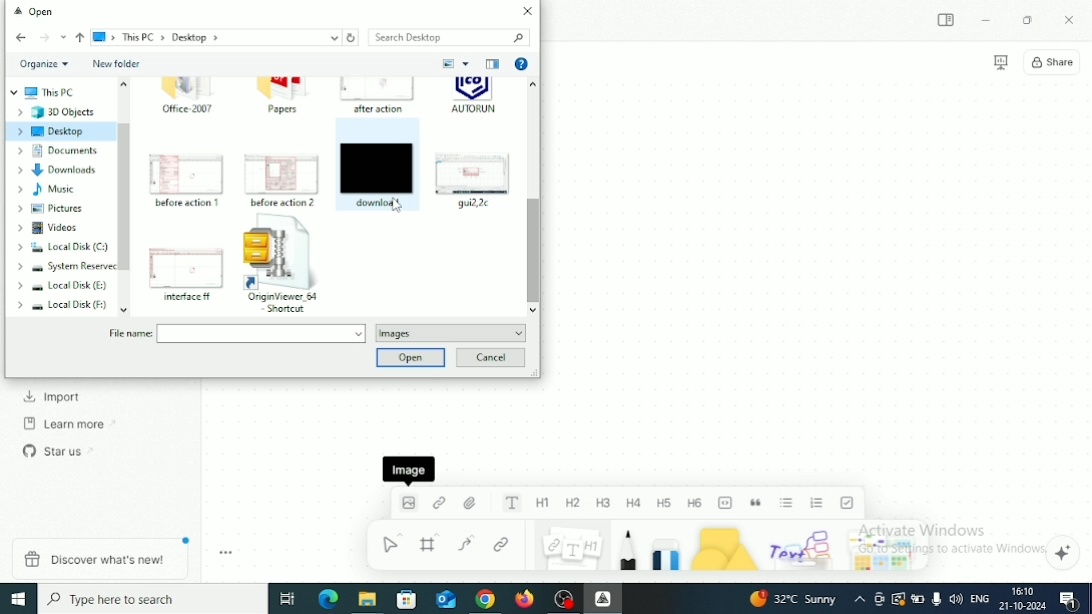 The image size is (1092, 614). What do you see at coordinates (237, 336) in the screenshot?
I see `File name:` at bounding box center [237, 336].